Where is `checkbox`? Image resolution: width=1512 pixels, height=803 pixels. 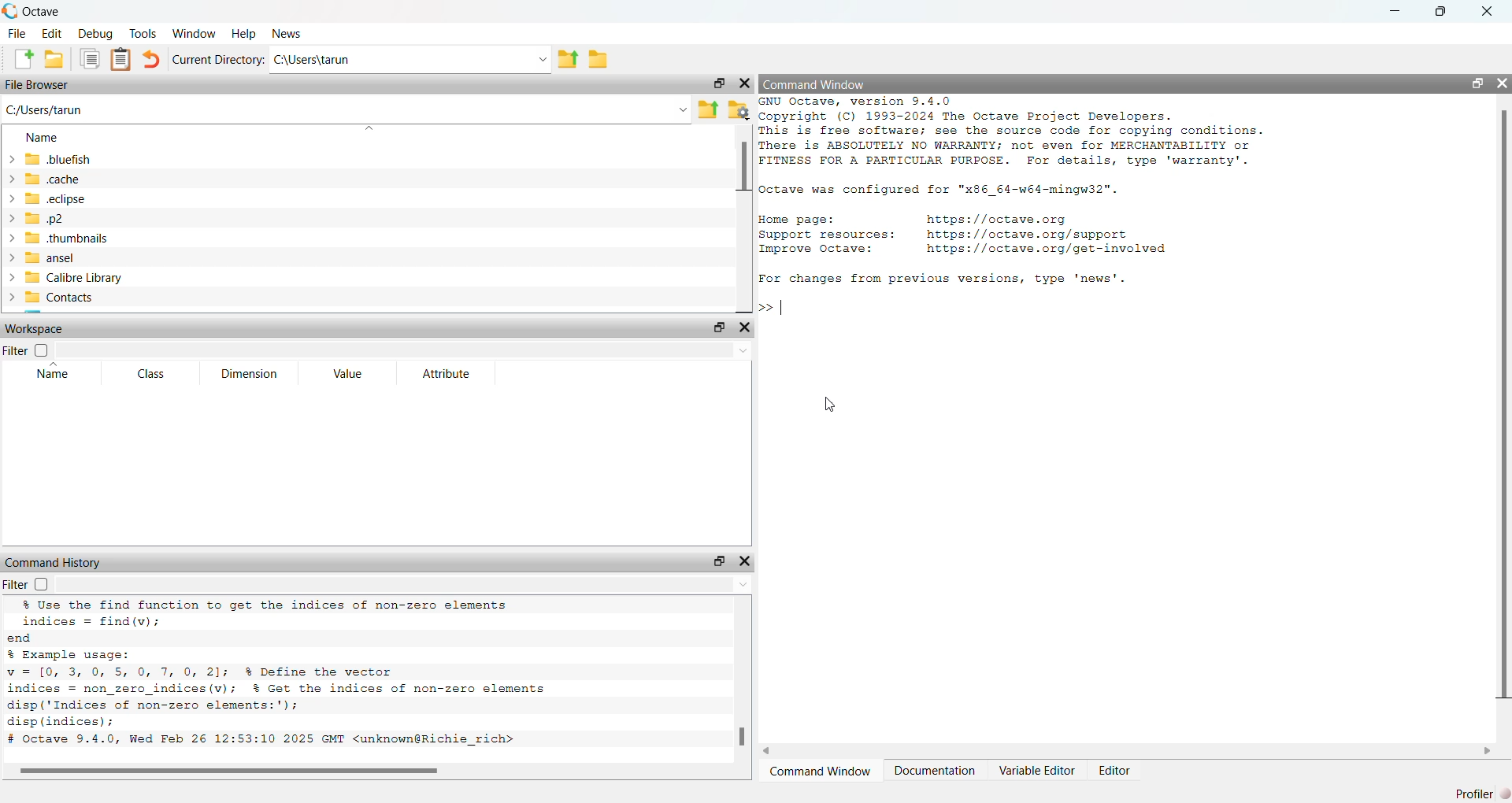
checkbox is located at coordinates (46, 584).